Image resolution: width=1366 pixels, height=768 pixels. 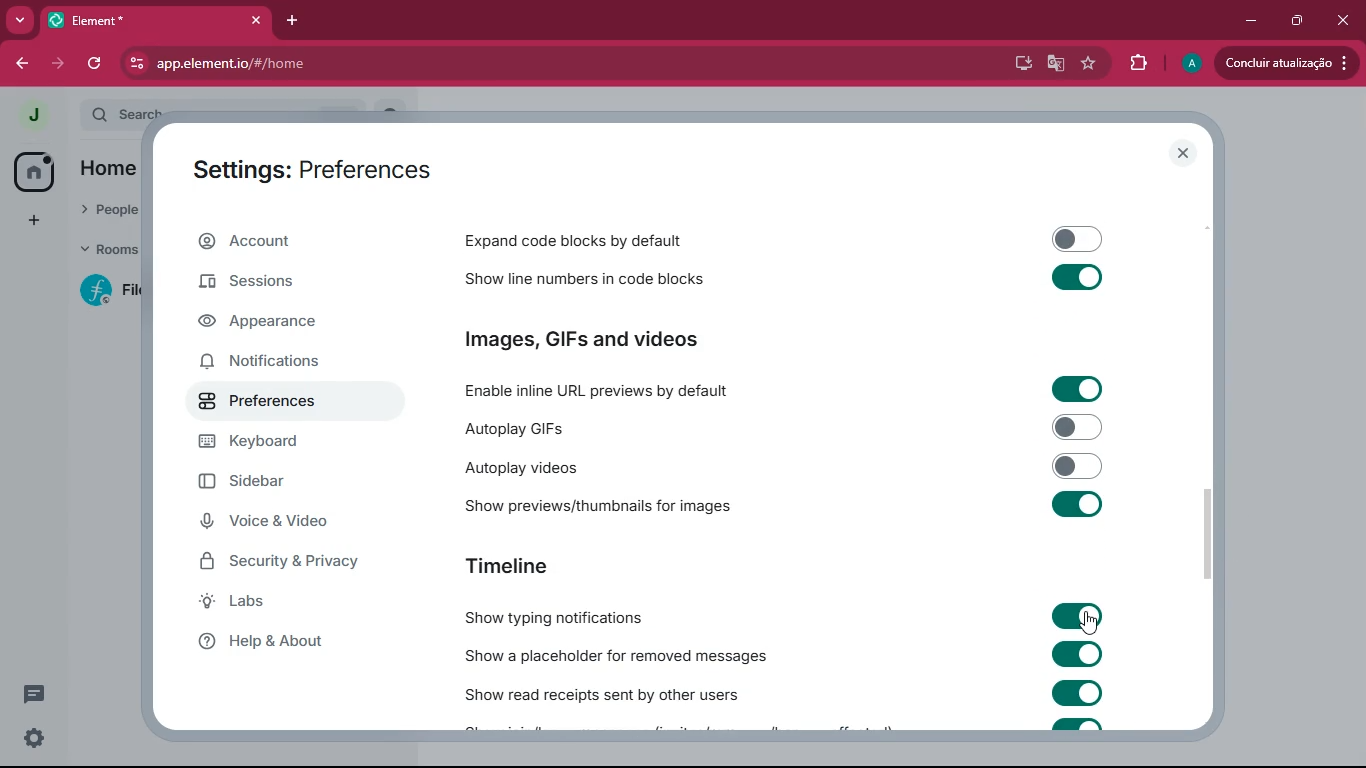 I want to click on home, so click(x=32, y=173).